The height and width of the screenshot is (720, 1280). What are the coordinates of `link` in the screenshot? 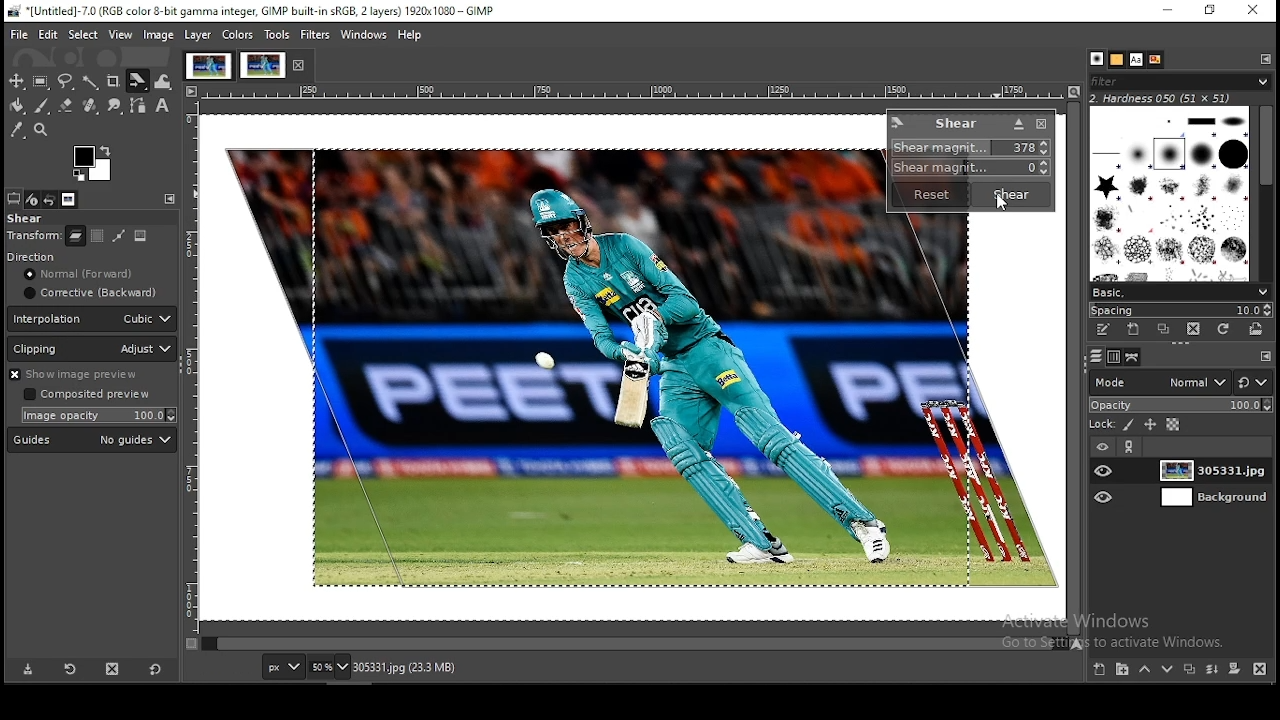 It's located at (1131, 447).